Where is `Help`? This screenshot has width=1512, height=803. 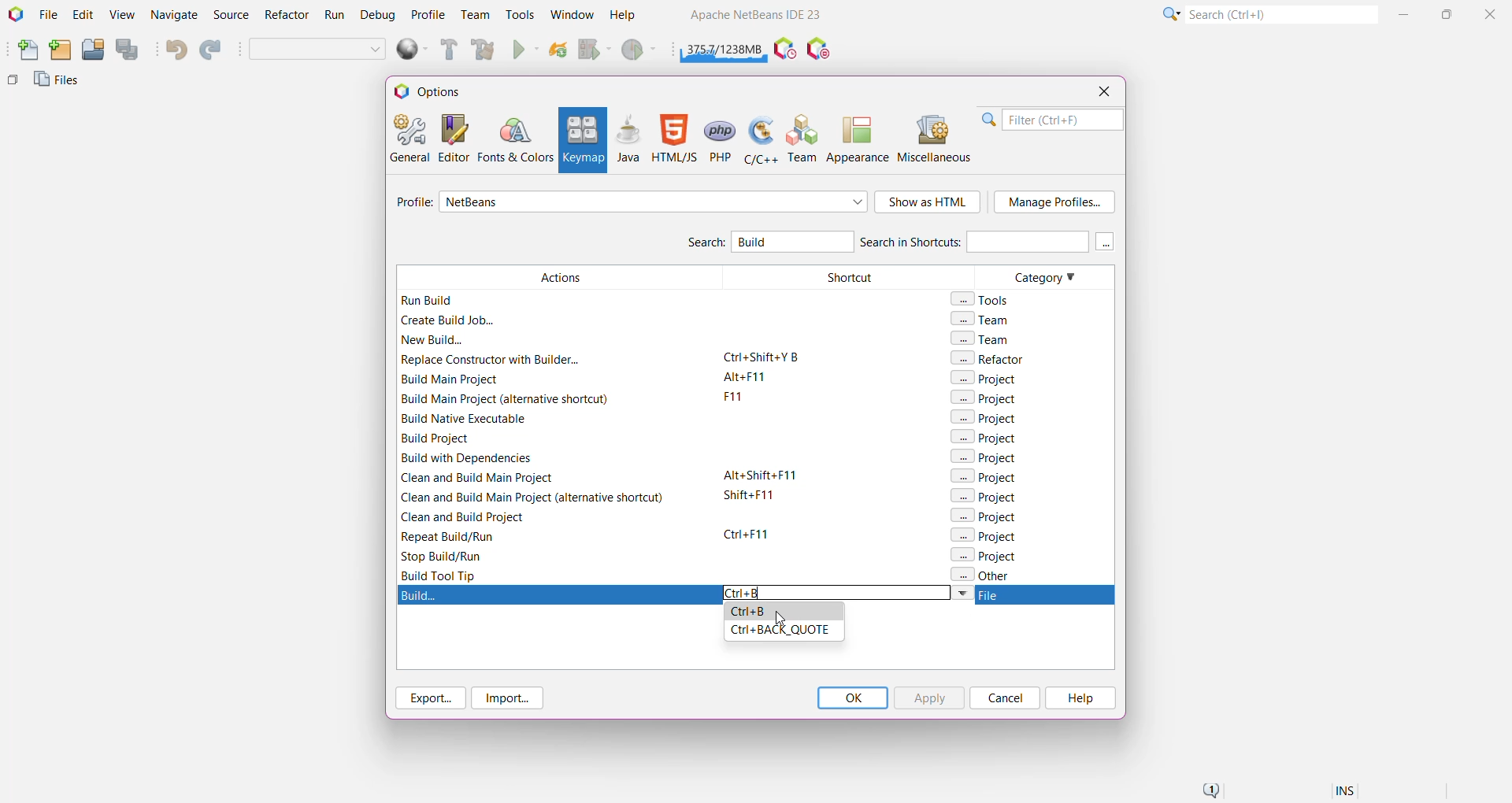 Help is located at coordinates (630, 17).